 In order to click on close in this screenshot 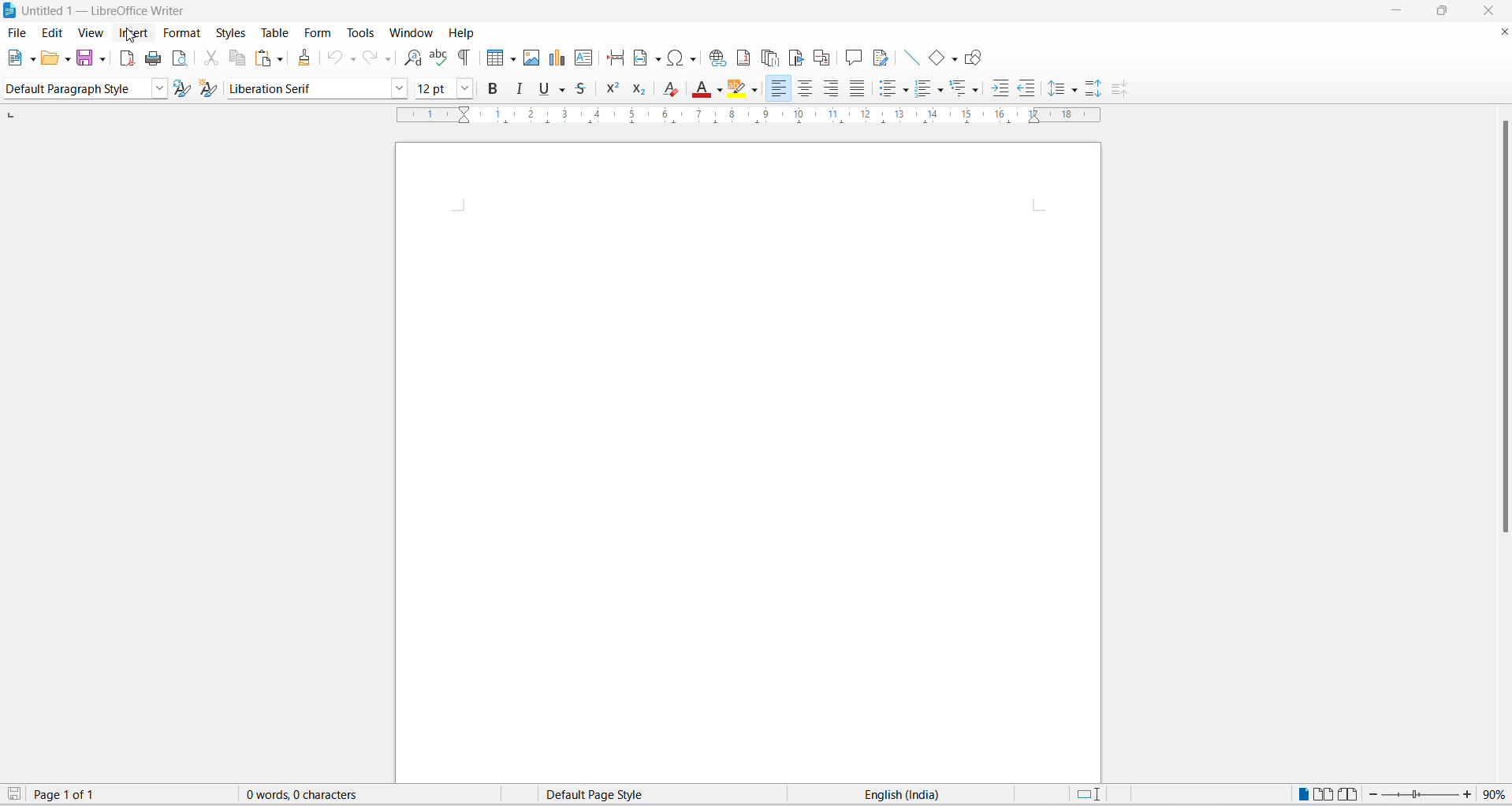, I will do `click(1503, 29)`.